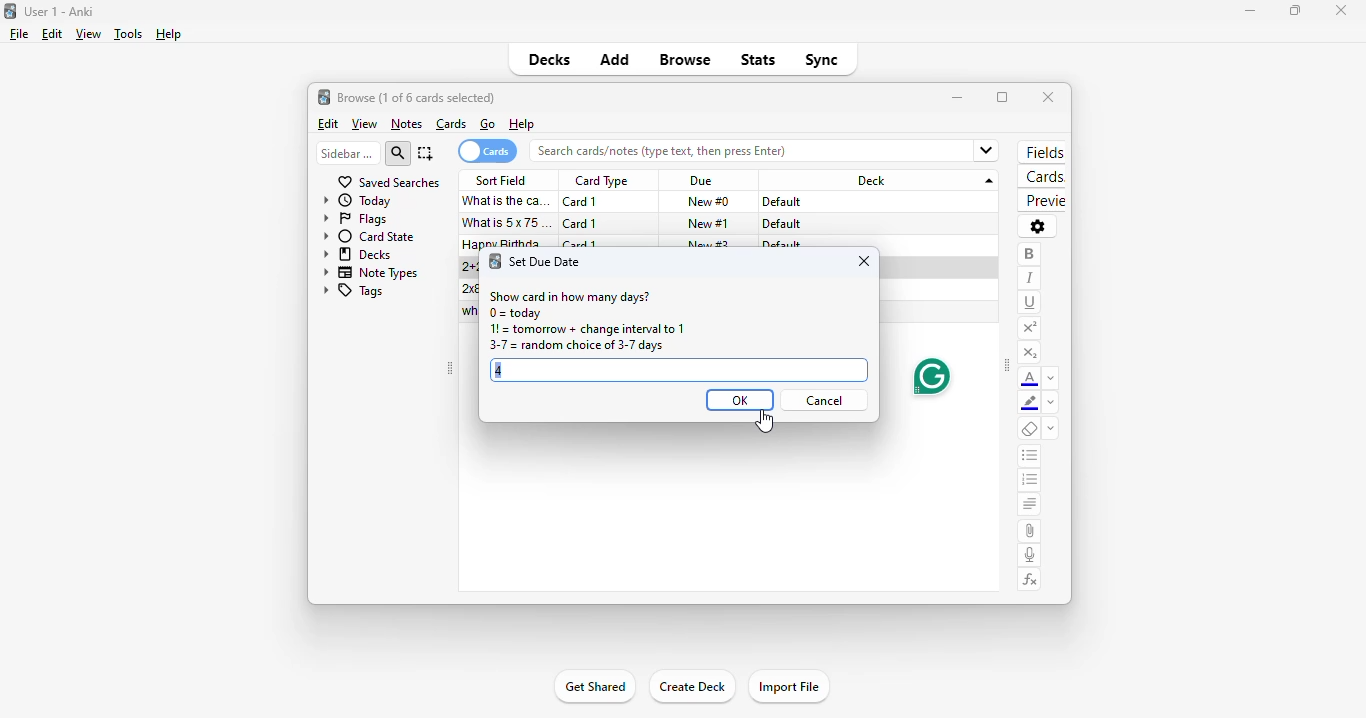 Image resolution: width=1366 pixels, height=718 pixels. I want to click on remove formatting, so click(1030, 430).